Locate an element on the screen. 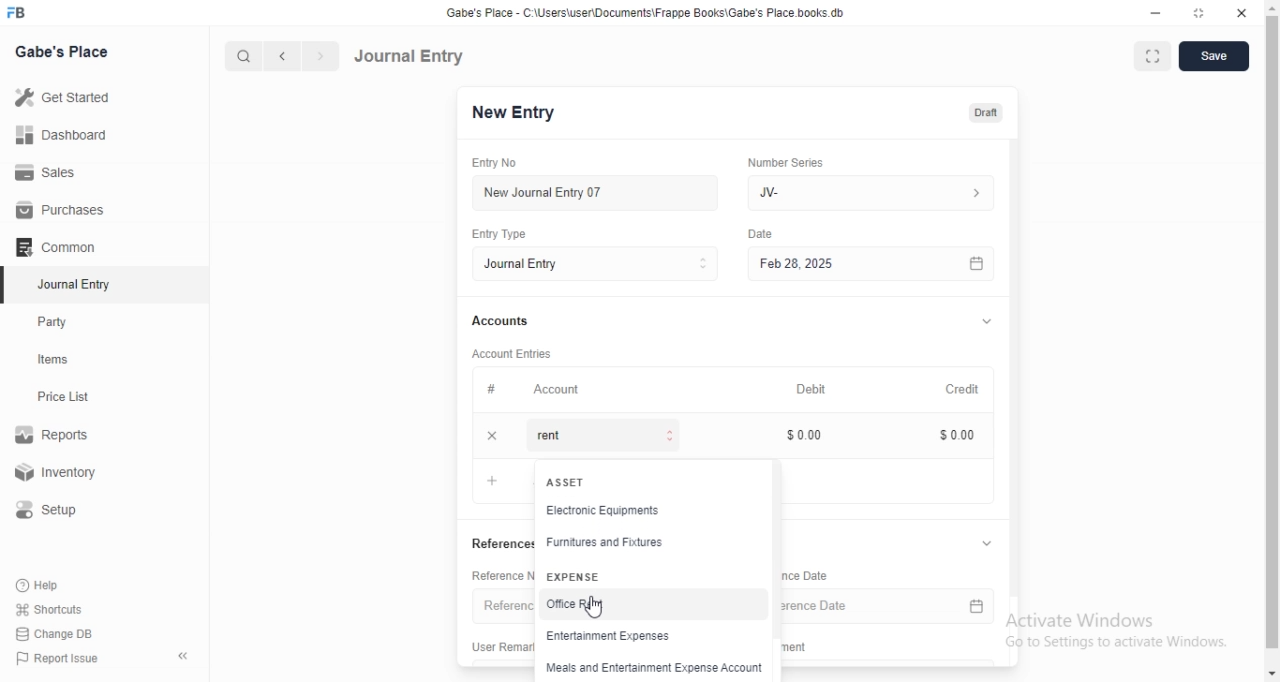  Draft is located at coordinates (993, 113).